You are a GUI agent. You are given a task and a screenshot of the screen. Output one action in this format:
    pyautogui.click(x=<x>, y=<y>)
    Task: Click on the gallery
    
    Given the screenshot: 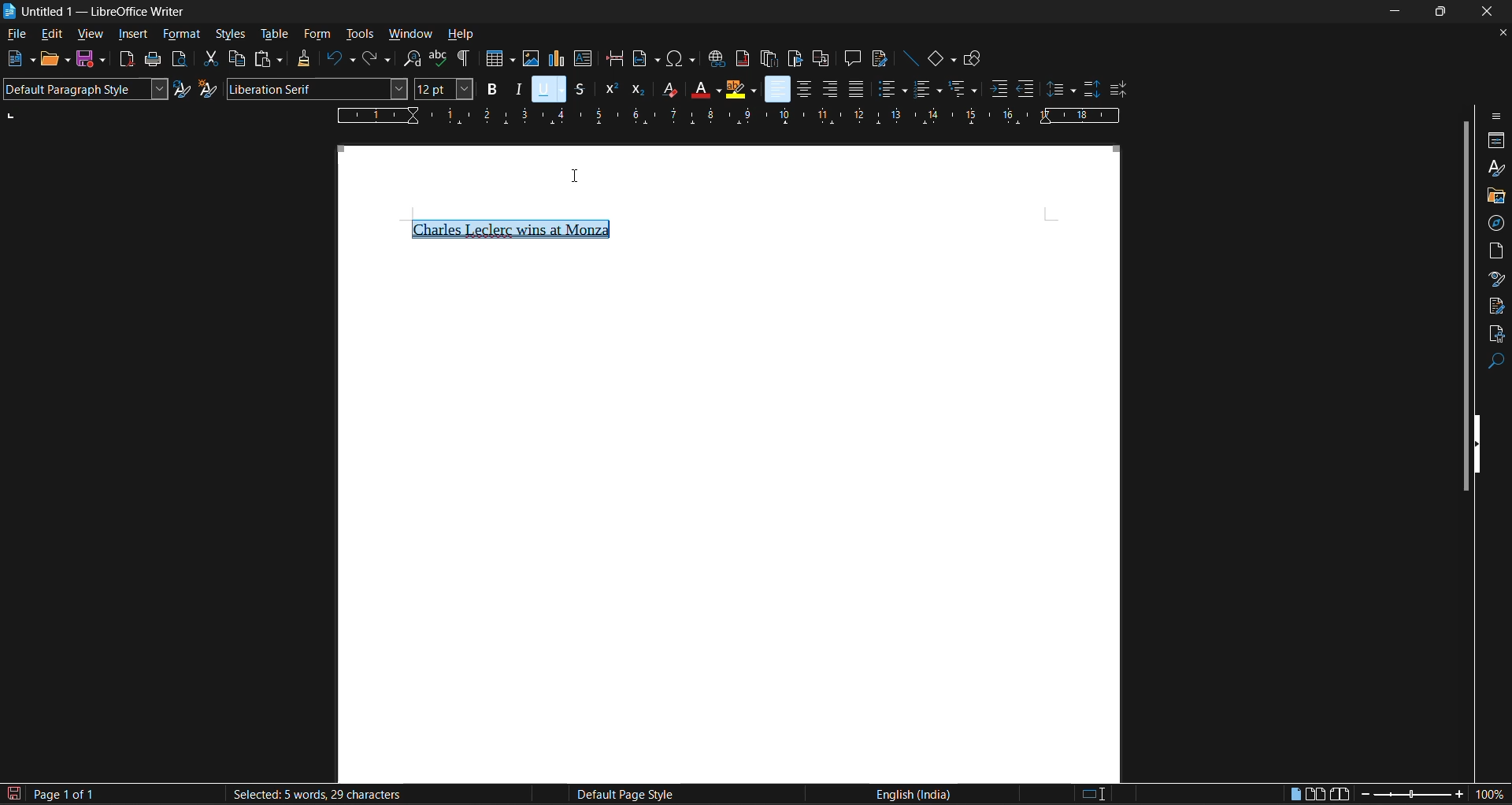 What is the action you would take?
    pyautogui.click(x=1495, y=197)
    